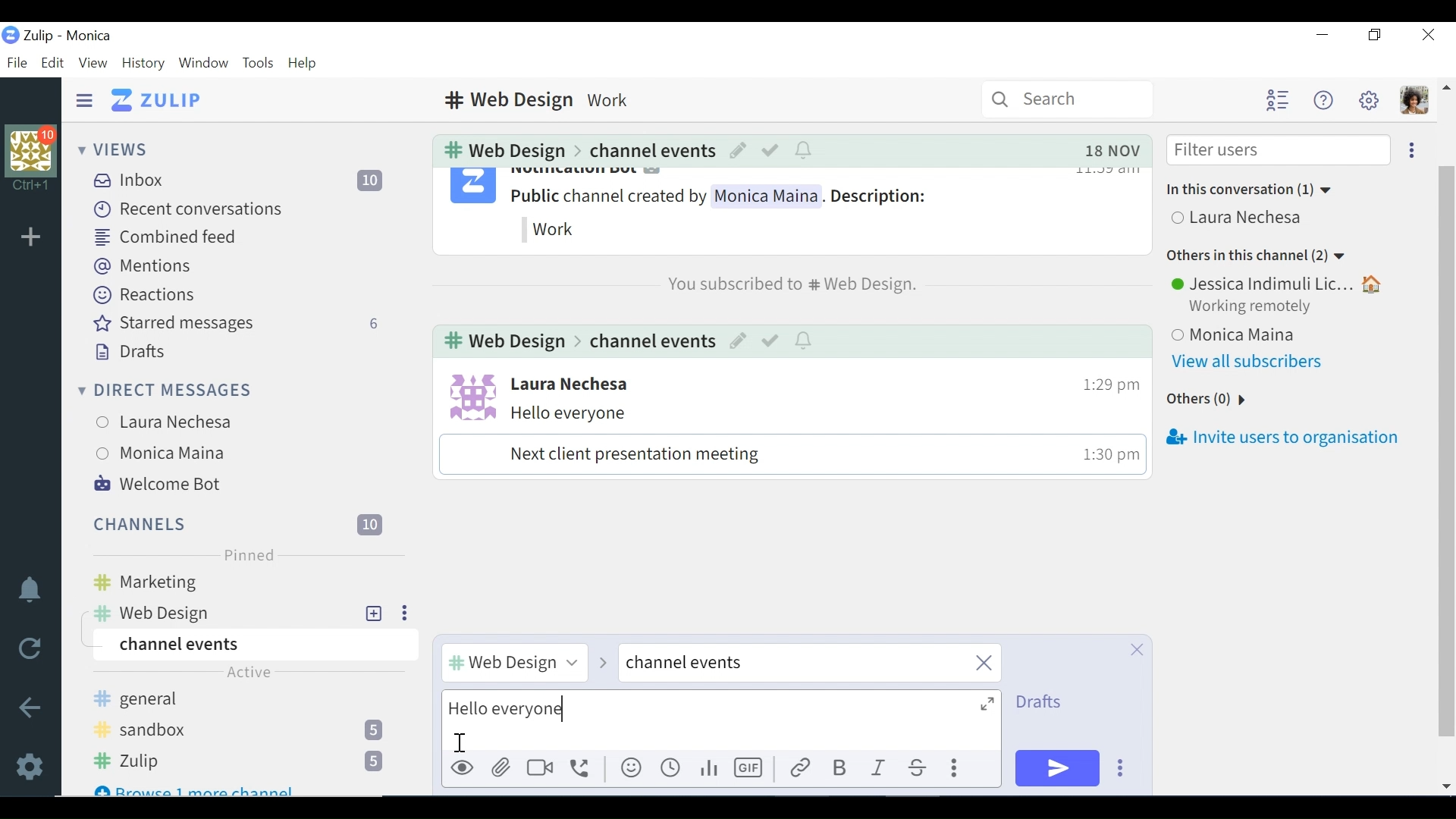 Image resolution: width=1456 pixels, height=819 pixels. Describe the element at coordinates (809, 664) in the screenshot. I see `close channel events` at that location.